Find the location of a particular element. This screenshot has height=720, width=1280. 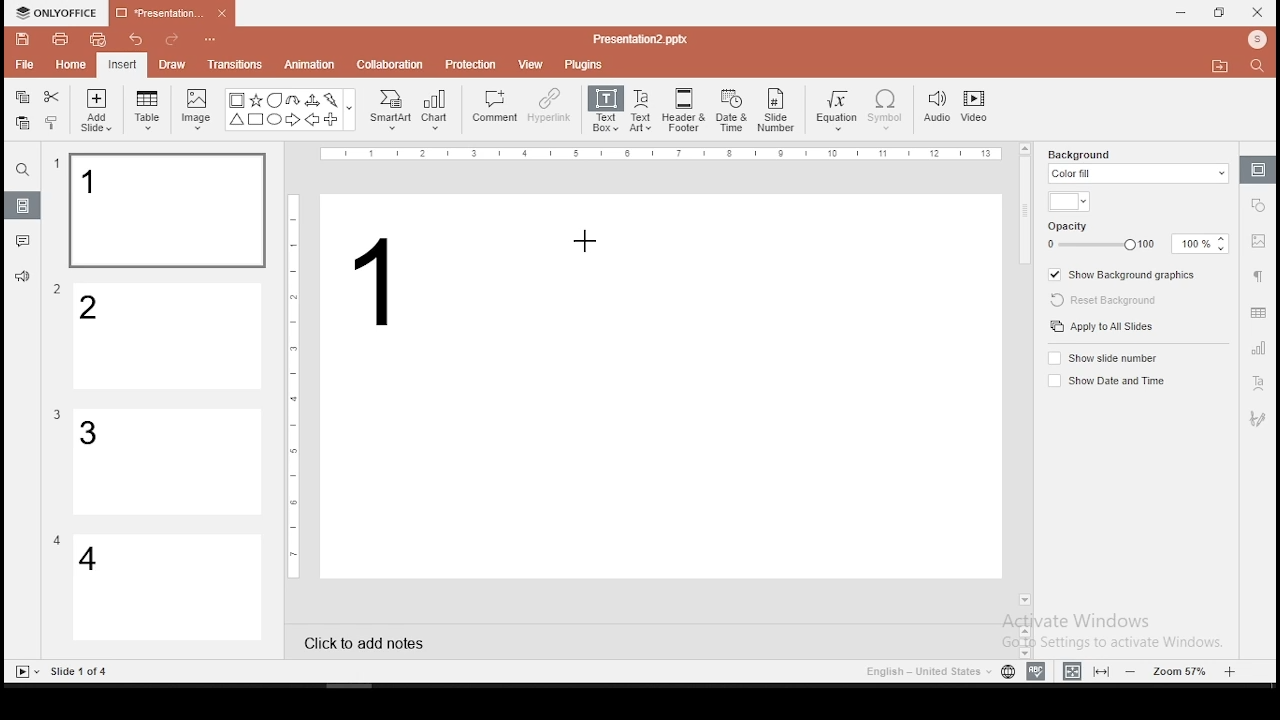

paste is located at coordinates (21, 123).